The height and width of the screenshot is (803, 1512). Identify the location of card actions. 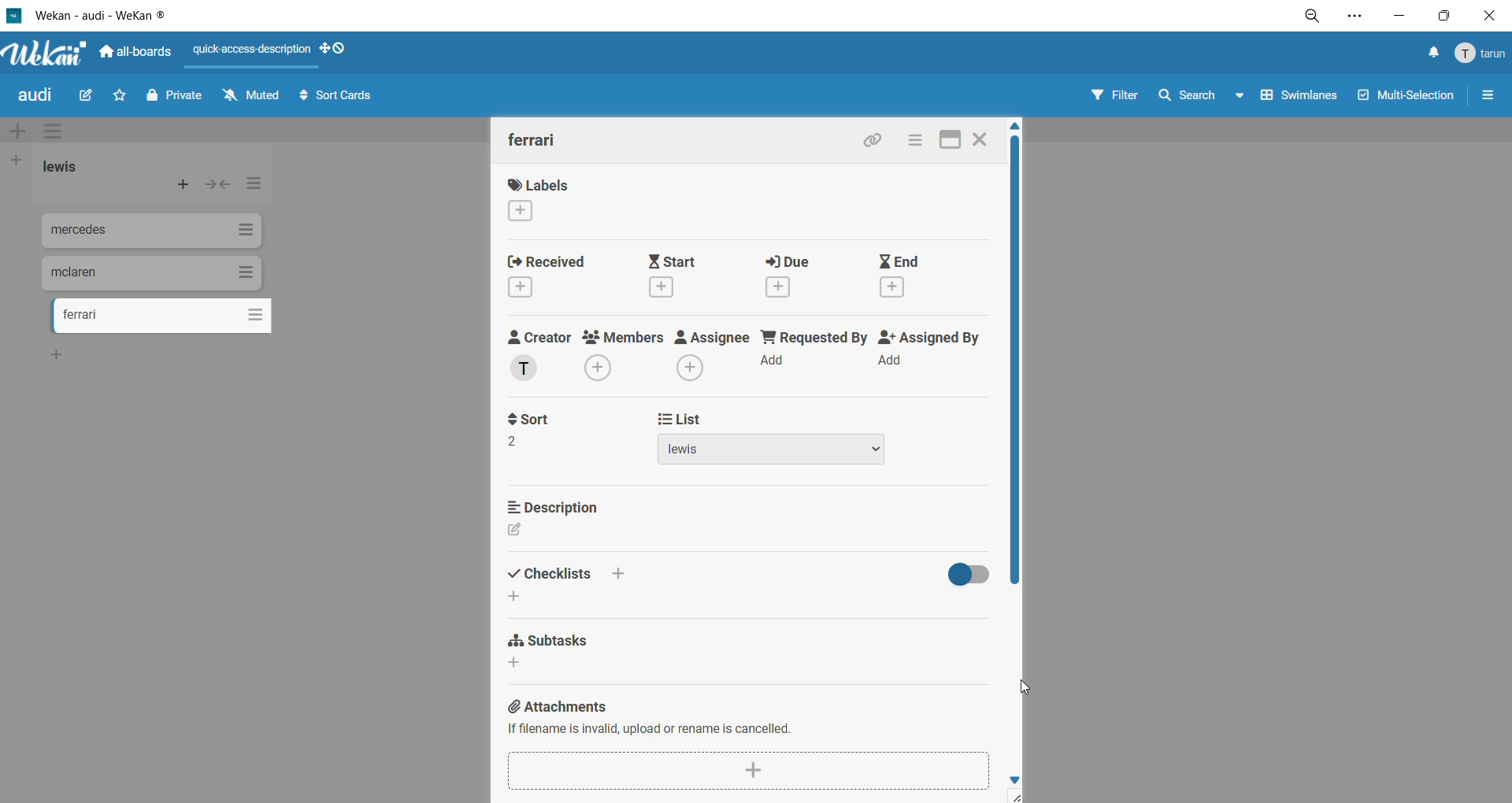
(914, 142).